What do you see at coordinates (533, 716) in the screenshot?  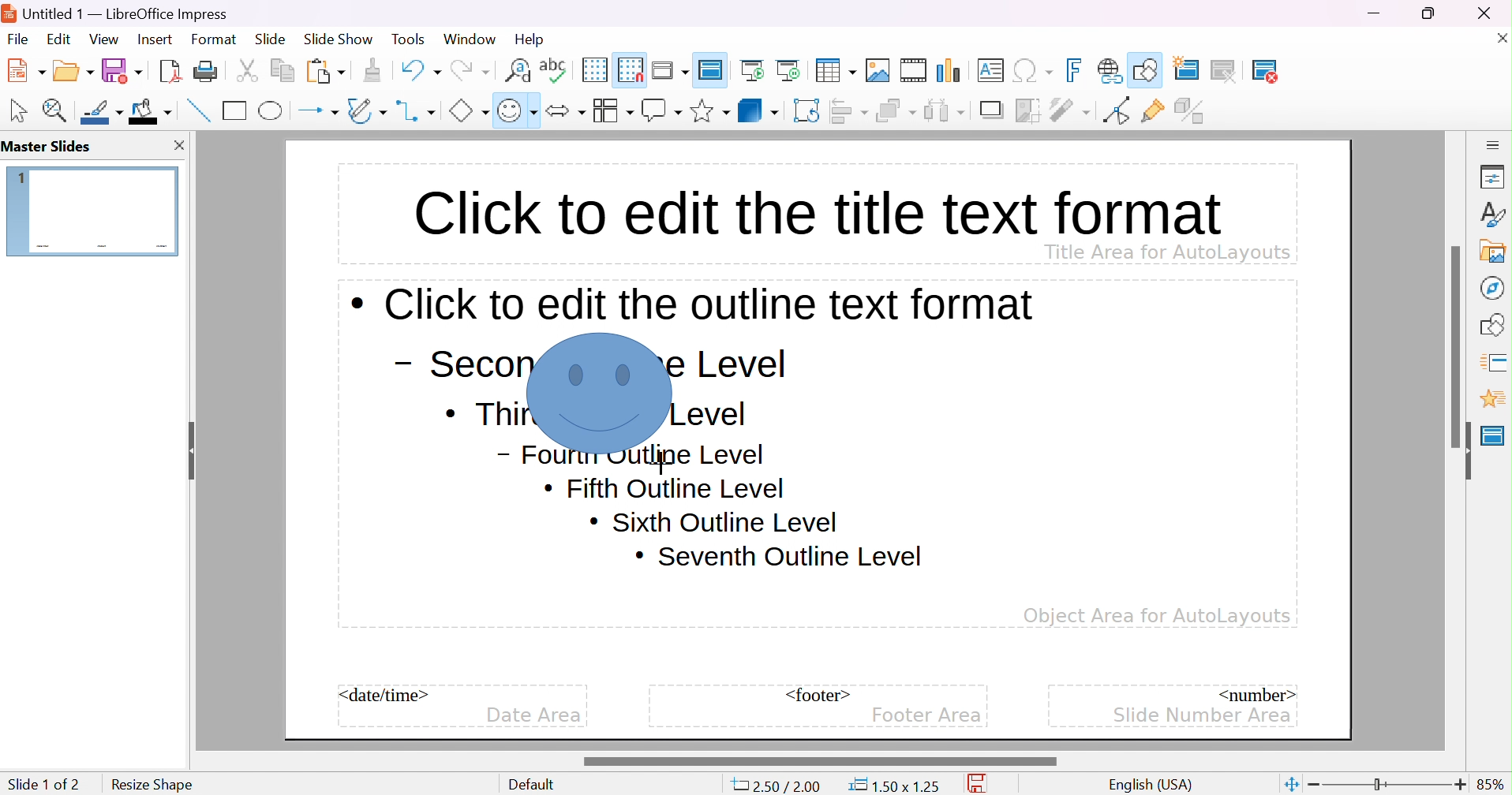 I see `date area` at bounding box center [533, 716].